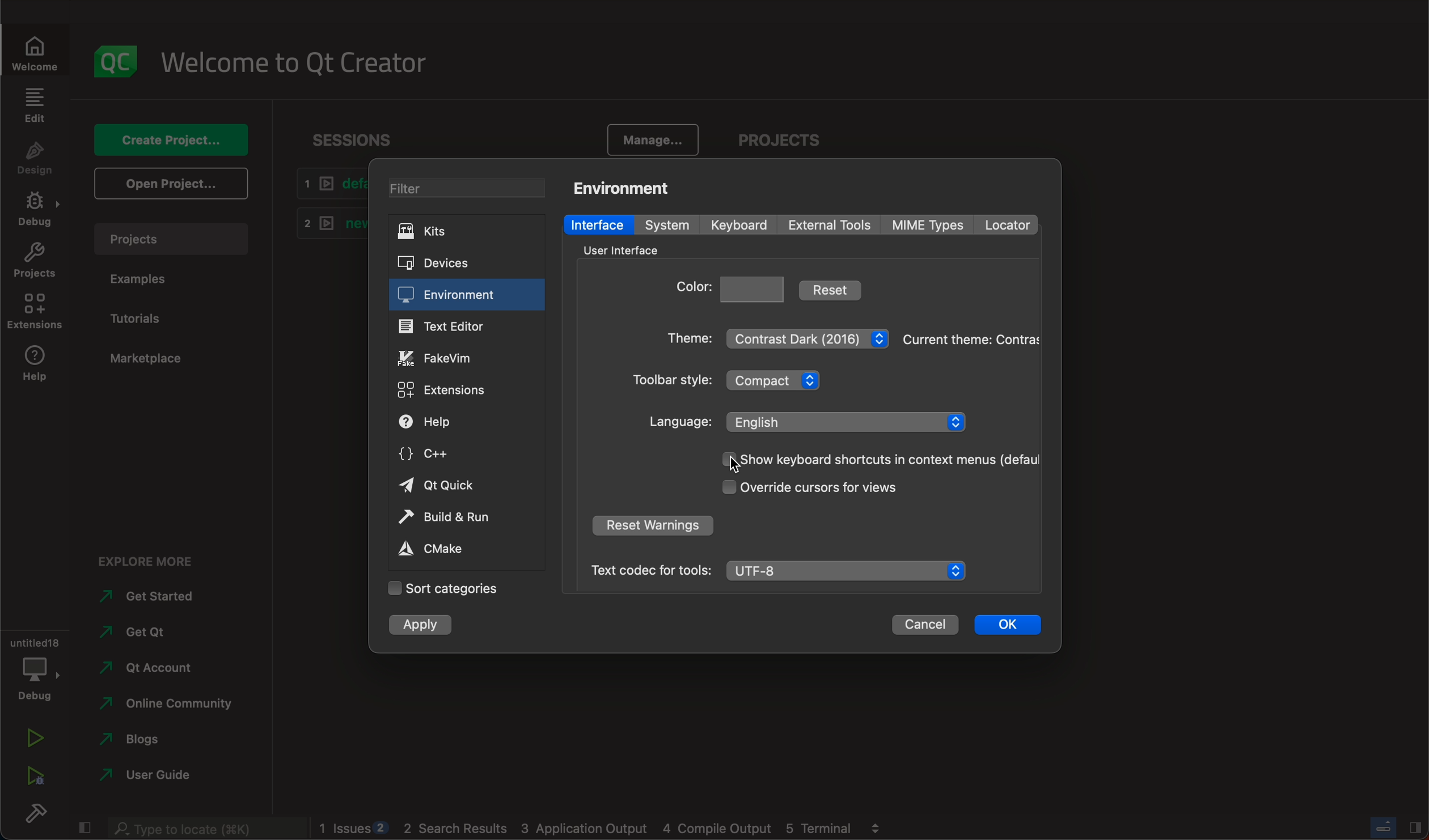 The image size is (1429, 840). I want to click on sessins, so click(358, 140).